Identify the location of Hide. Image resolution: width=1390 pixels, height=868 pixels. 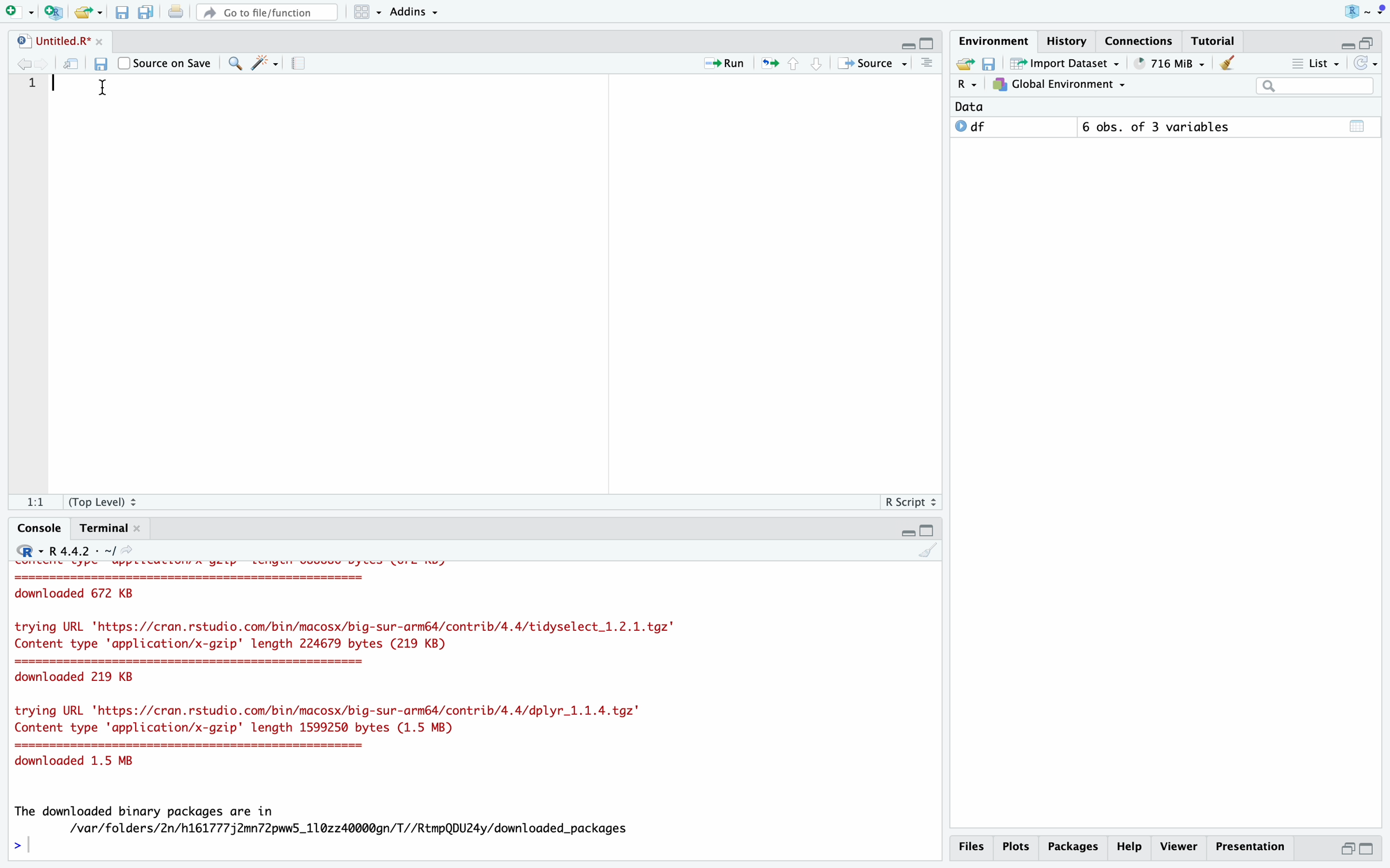
(906, 531).